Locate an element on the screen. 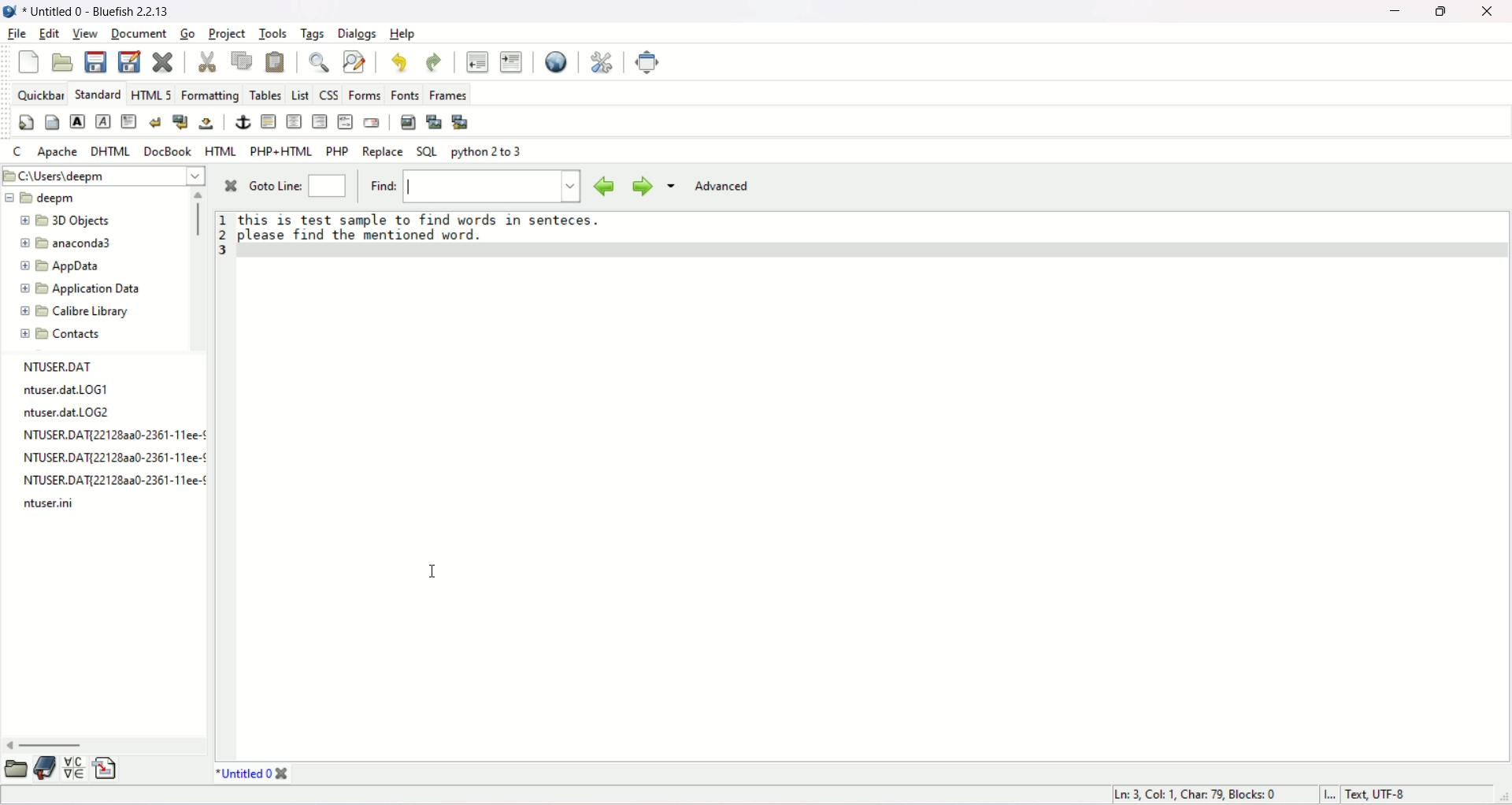  save as is located at coordinates (130, 60).